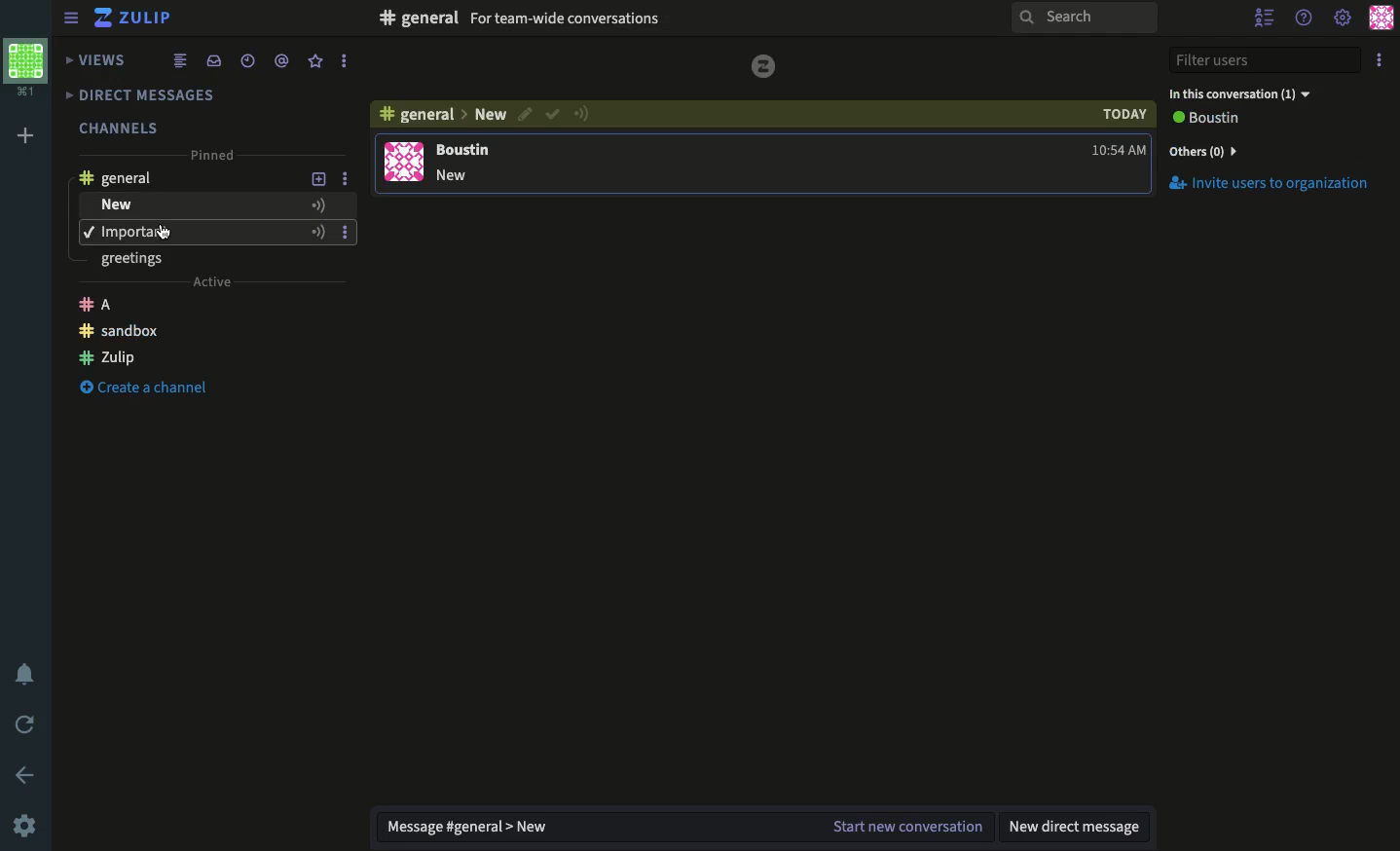  Describe the element at coordinates (1264, 18) in the screenshot. I see `Hide user list` at that location.